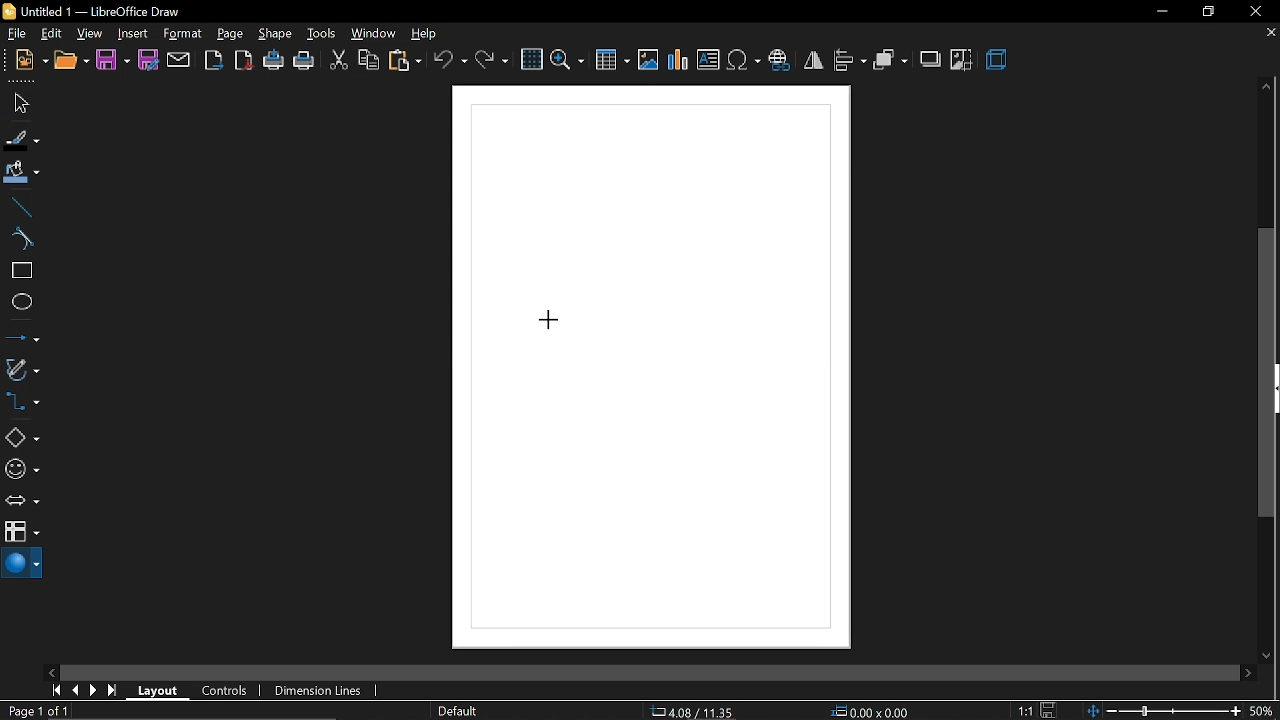 The height and width of the screenshot is (720, 1280). I want to click on edit, so click(52, 33).